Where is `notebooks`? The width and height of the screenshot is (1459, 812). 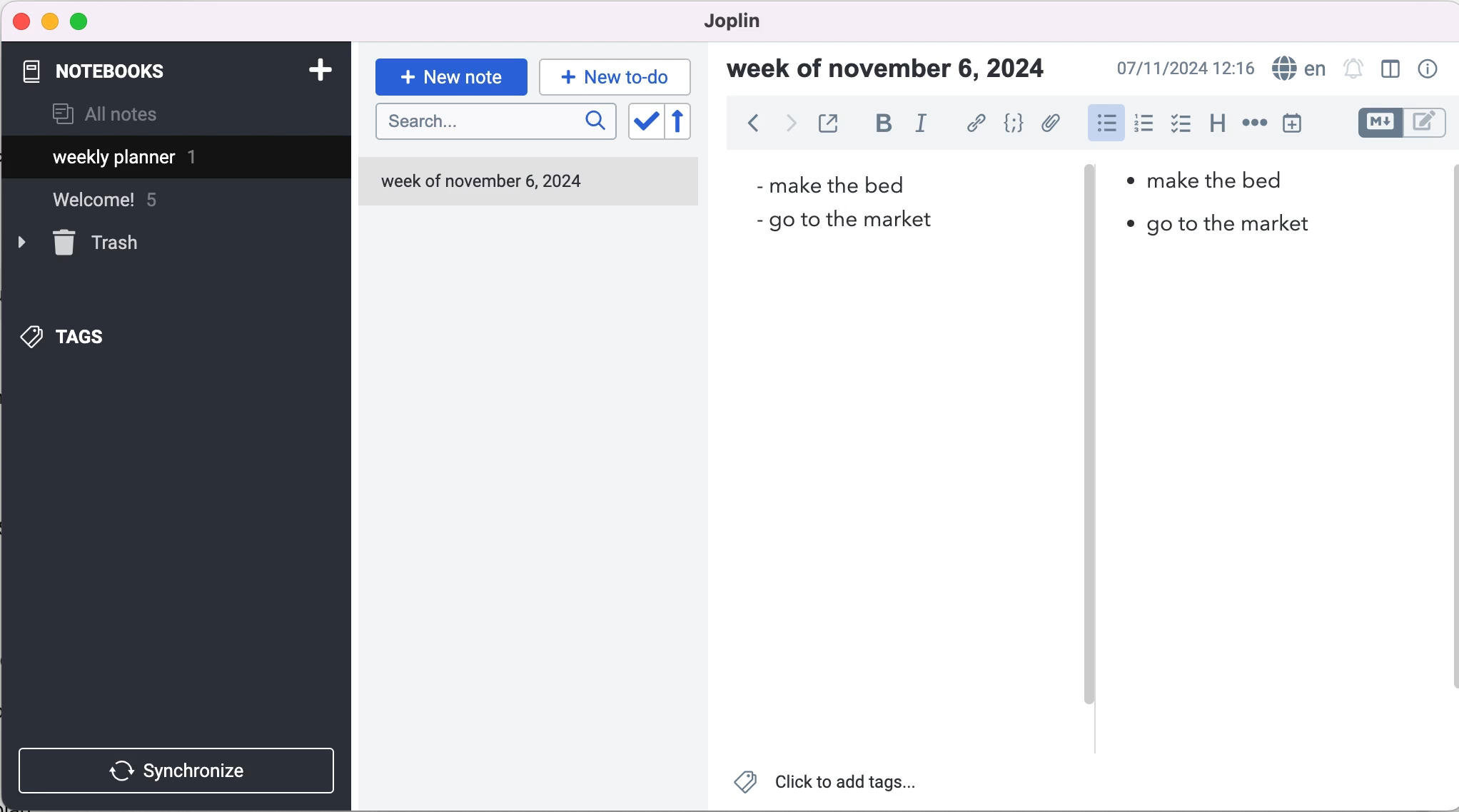 notebooks is located at coordinates (106, 71).